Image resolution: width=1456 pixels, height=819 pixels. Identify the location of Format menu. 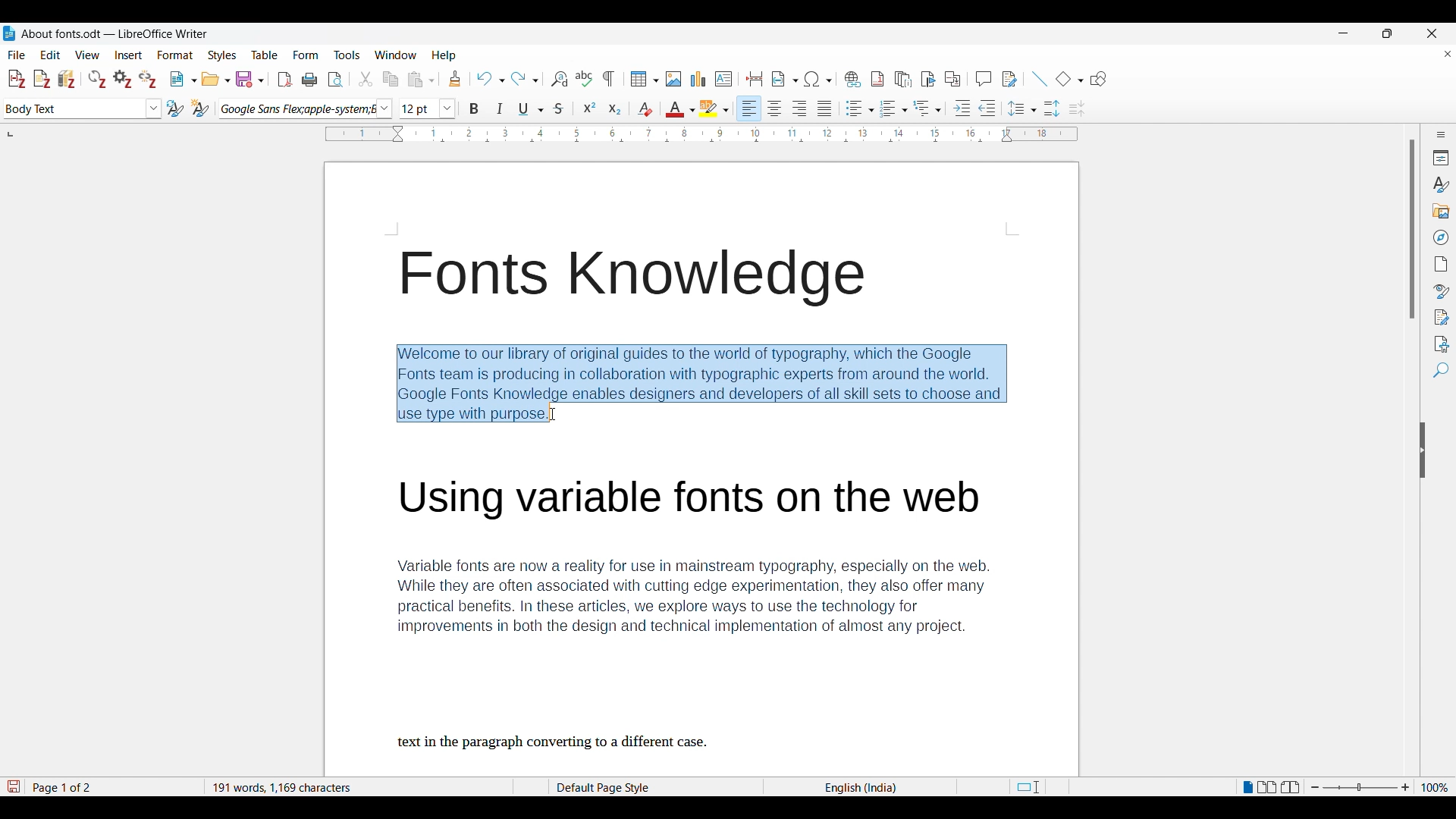
(175, 55).